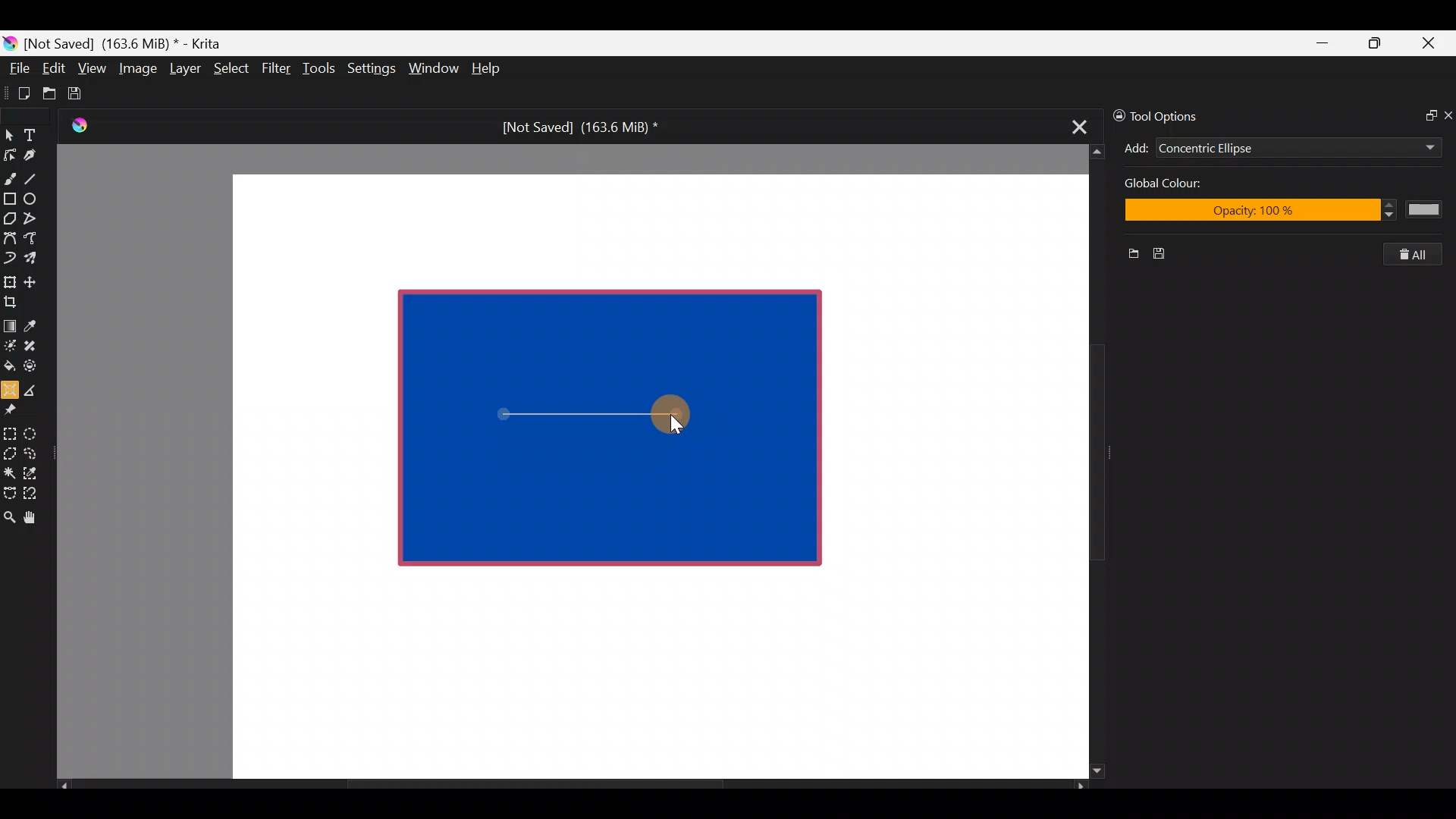 This screenshot has height=819, width=1456. Describe the element at coordinates (232, 67) in the screenshot. I see `Select` at that location.